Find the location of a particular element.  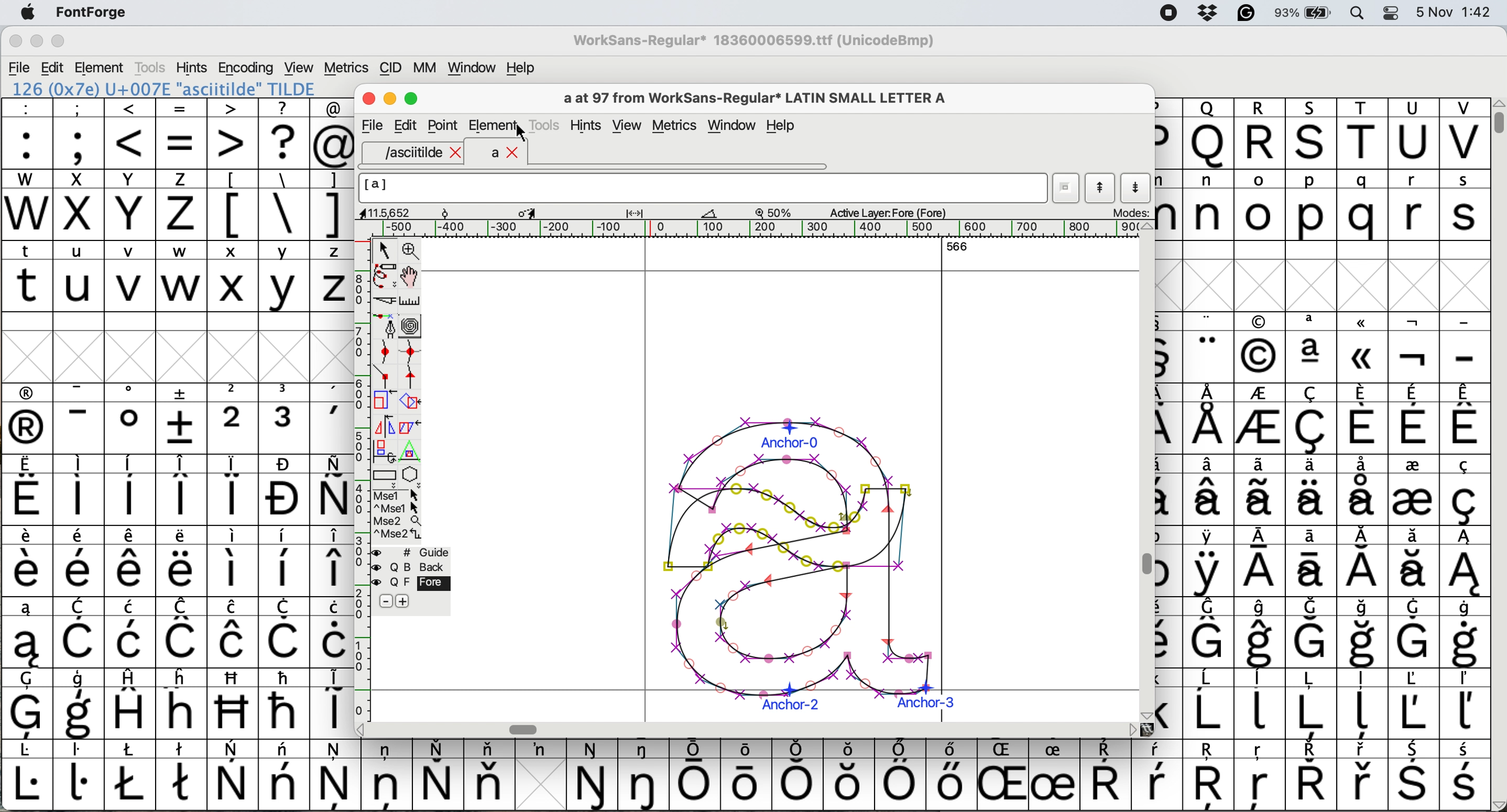

horizontal scale is located at coordinates (761, 228).